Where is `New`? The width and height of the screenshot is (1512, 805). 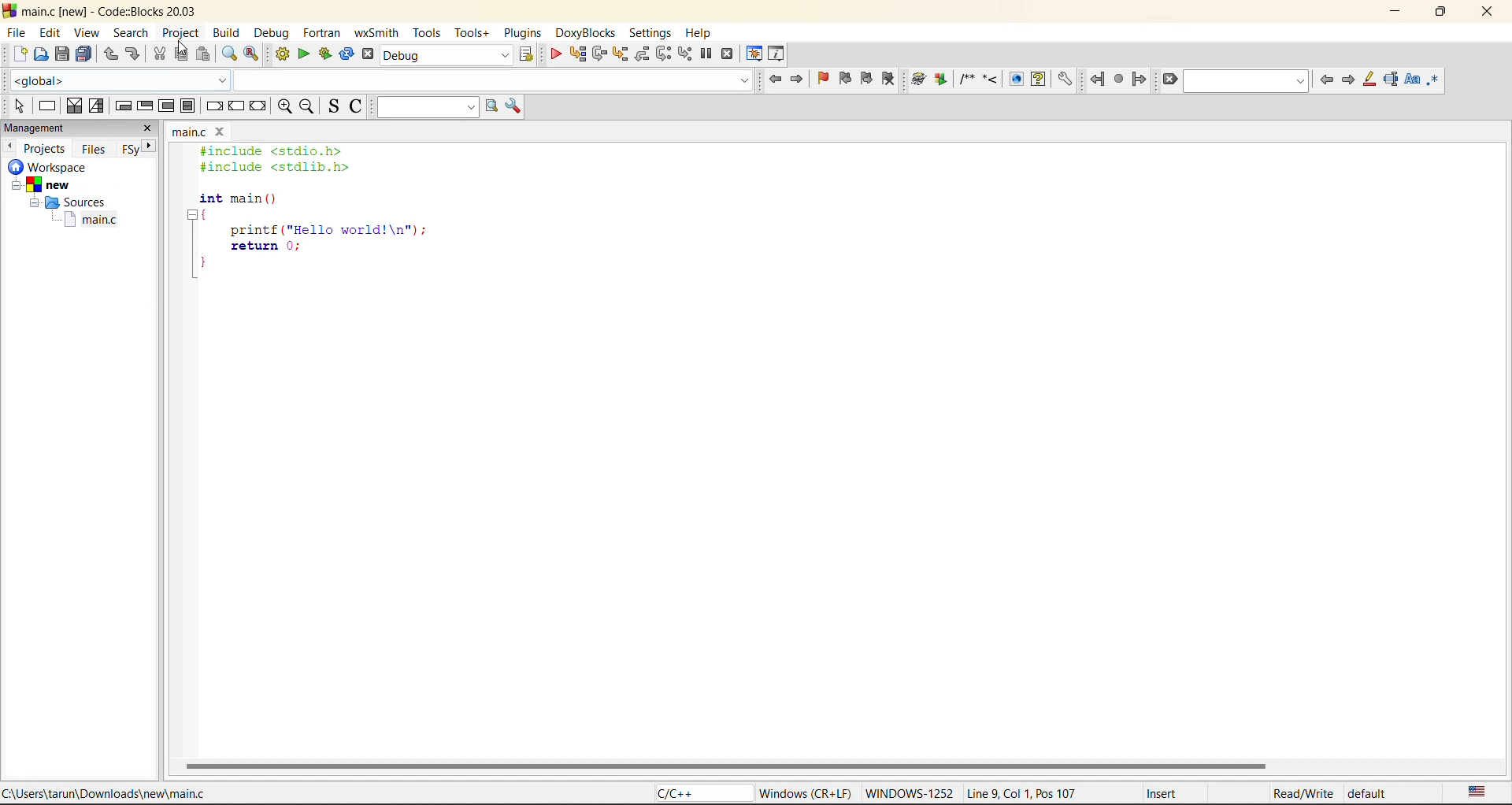
New is located at coordinates (51, 185).